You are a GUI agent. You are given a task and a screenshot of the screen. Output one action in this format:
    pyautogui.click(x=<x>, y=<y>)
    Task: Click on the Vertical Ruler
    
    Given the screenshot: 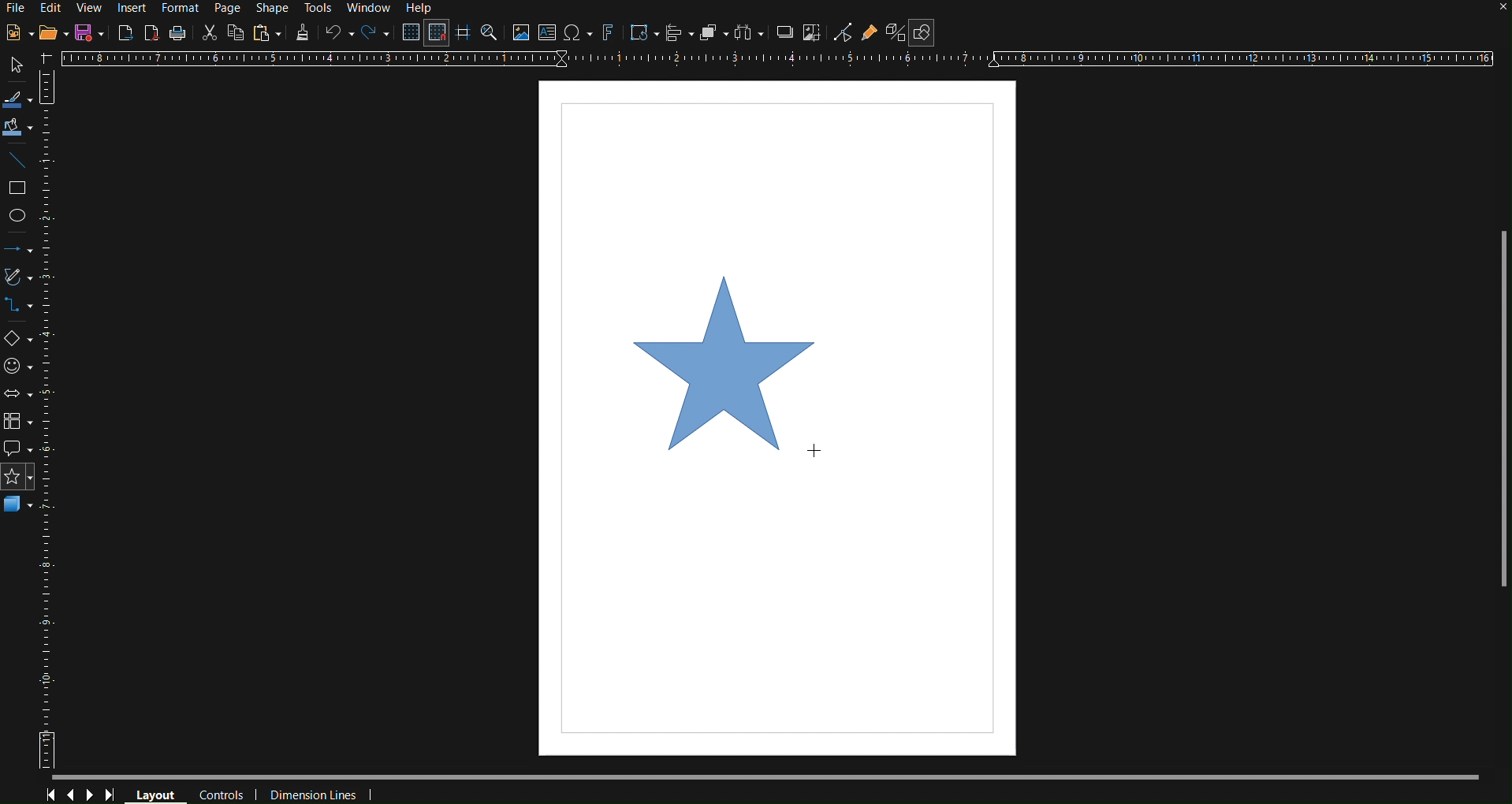 What is the action you would take?
    pyautogui.click(x=53, y=419)
    